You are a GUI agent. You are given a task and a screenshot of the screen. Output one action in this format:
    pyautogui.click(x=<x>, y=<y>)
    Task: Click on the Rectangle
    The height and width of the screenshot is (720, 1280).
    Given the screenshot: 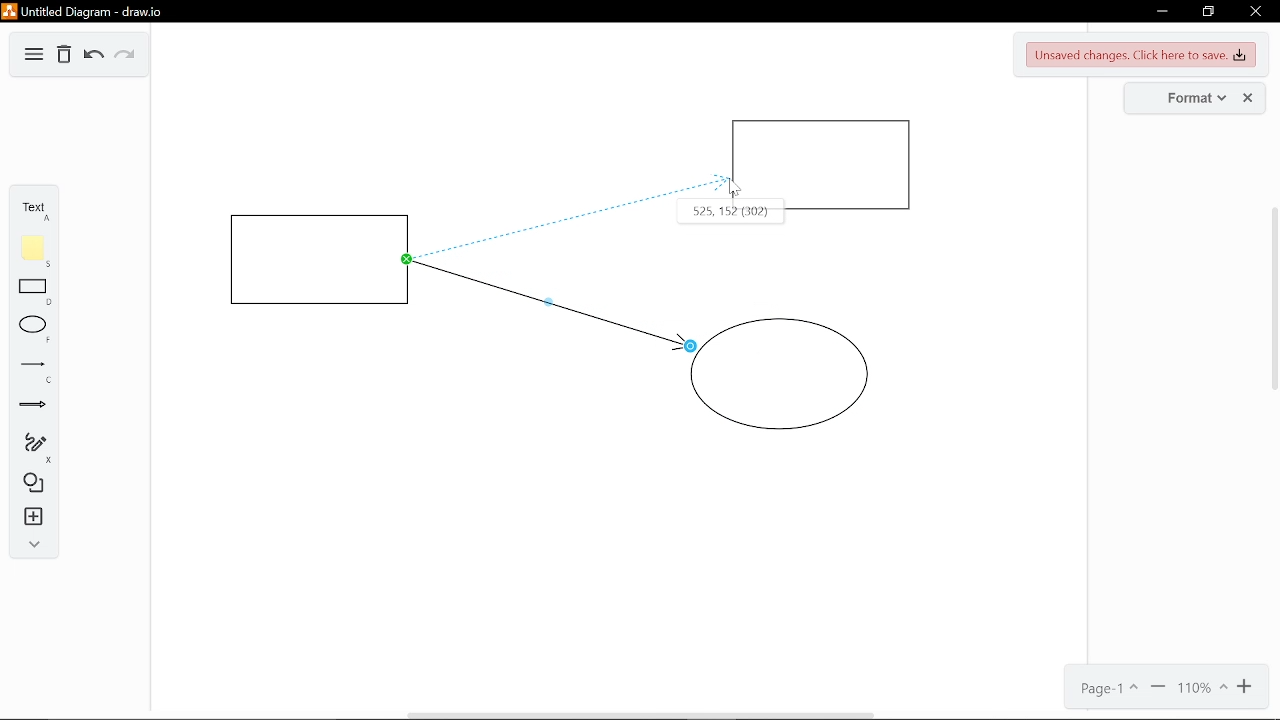 What is the action you would take?
    pyautogui.click(x=822, y=166)
    